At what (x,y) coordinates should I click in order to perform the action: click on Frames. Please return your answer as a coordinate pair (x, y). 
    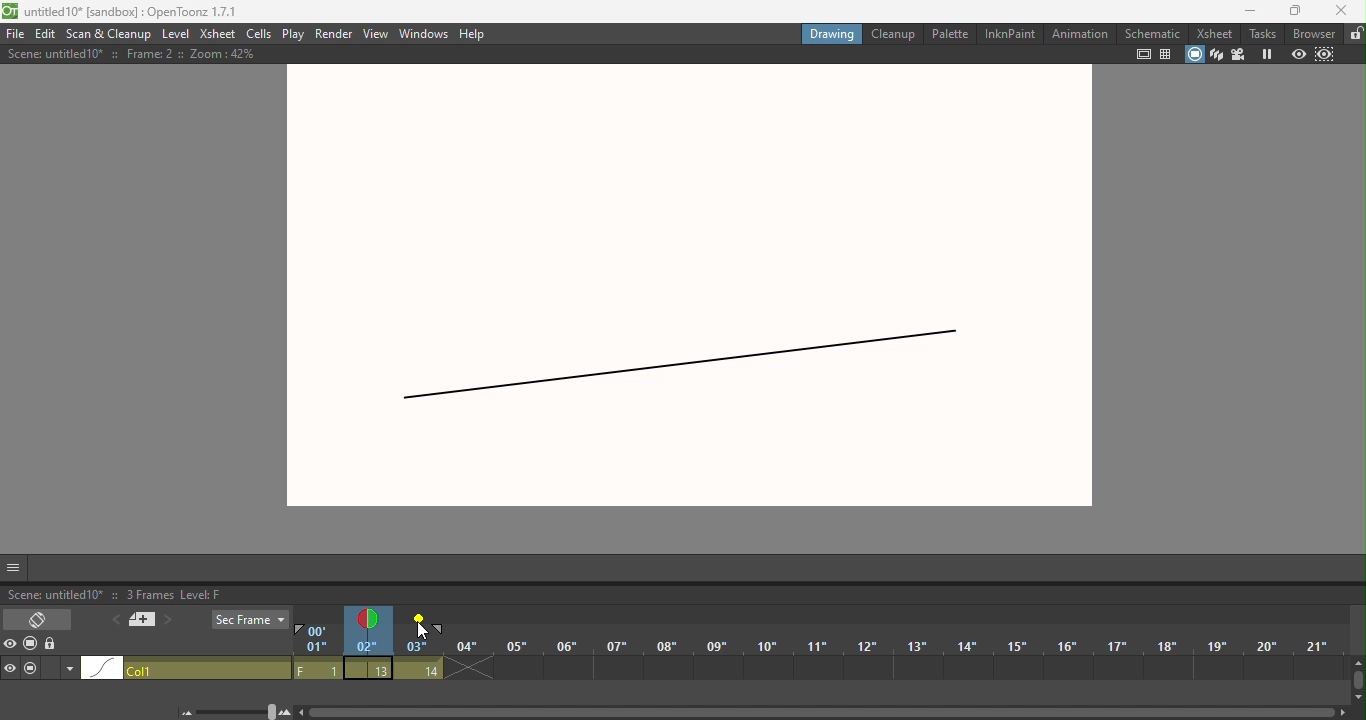
    Looking at the image, I should click on (813, 648).